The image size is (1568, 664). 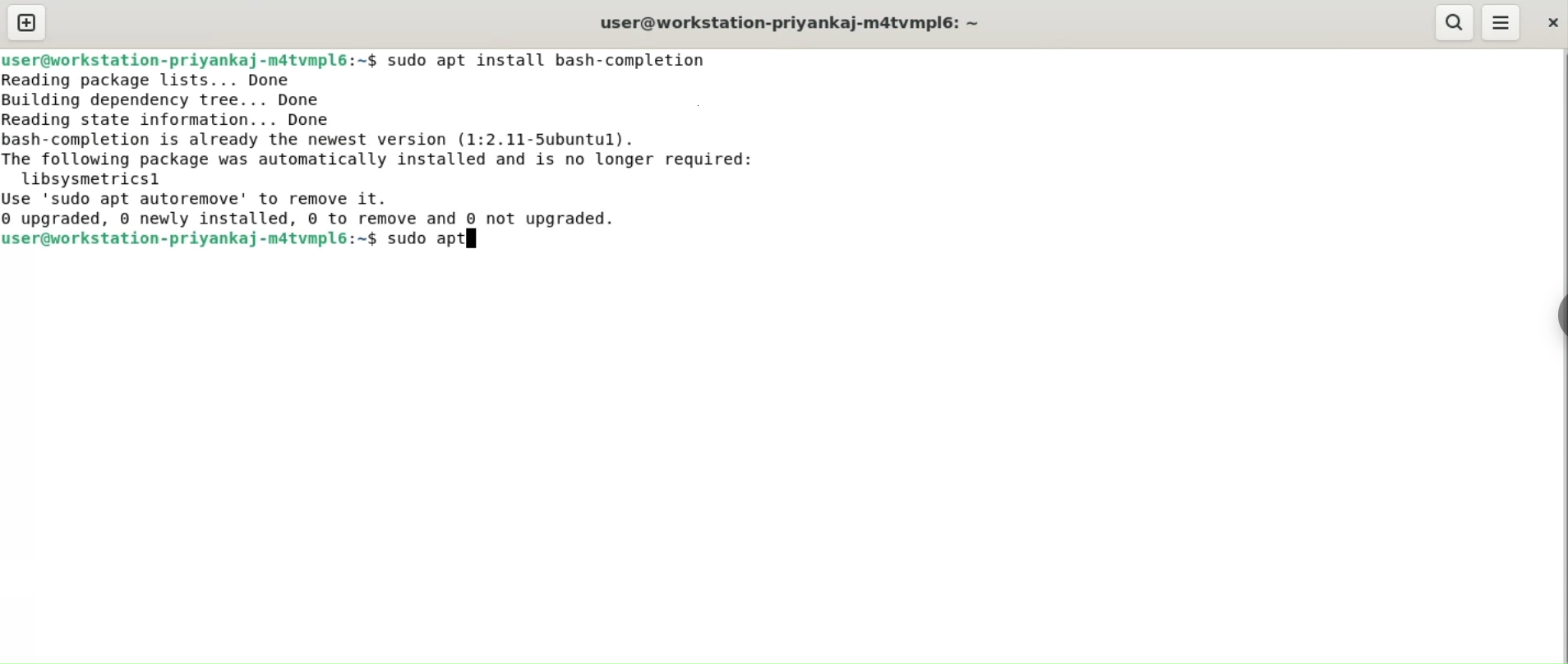 What do you see at coordinates (823, 27) in the screenshot?
I see `user@workstation-priyankaj-m4tvmpl6: ~` at bounding box center [823, 27].